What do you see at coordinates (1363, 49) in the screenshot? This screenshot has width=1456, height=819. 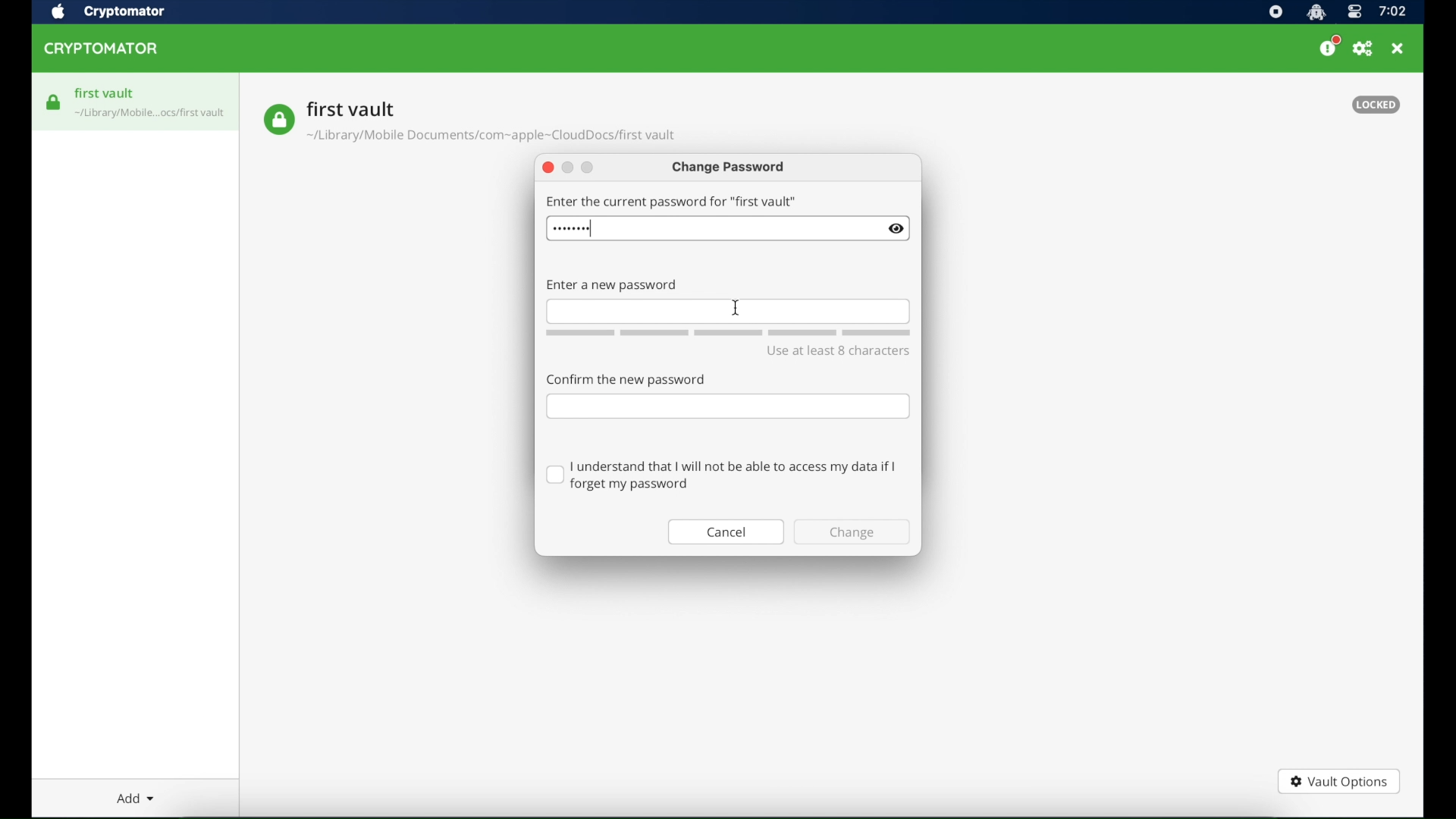 I see `preferences` at bounding box center [1363, 49].